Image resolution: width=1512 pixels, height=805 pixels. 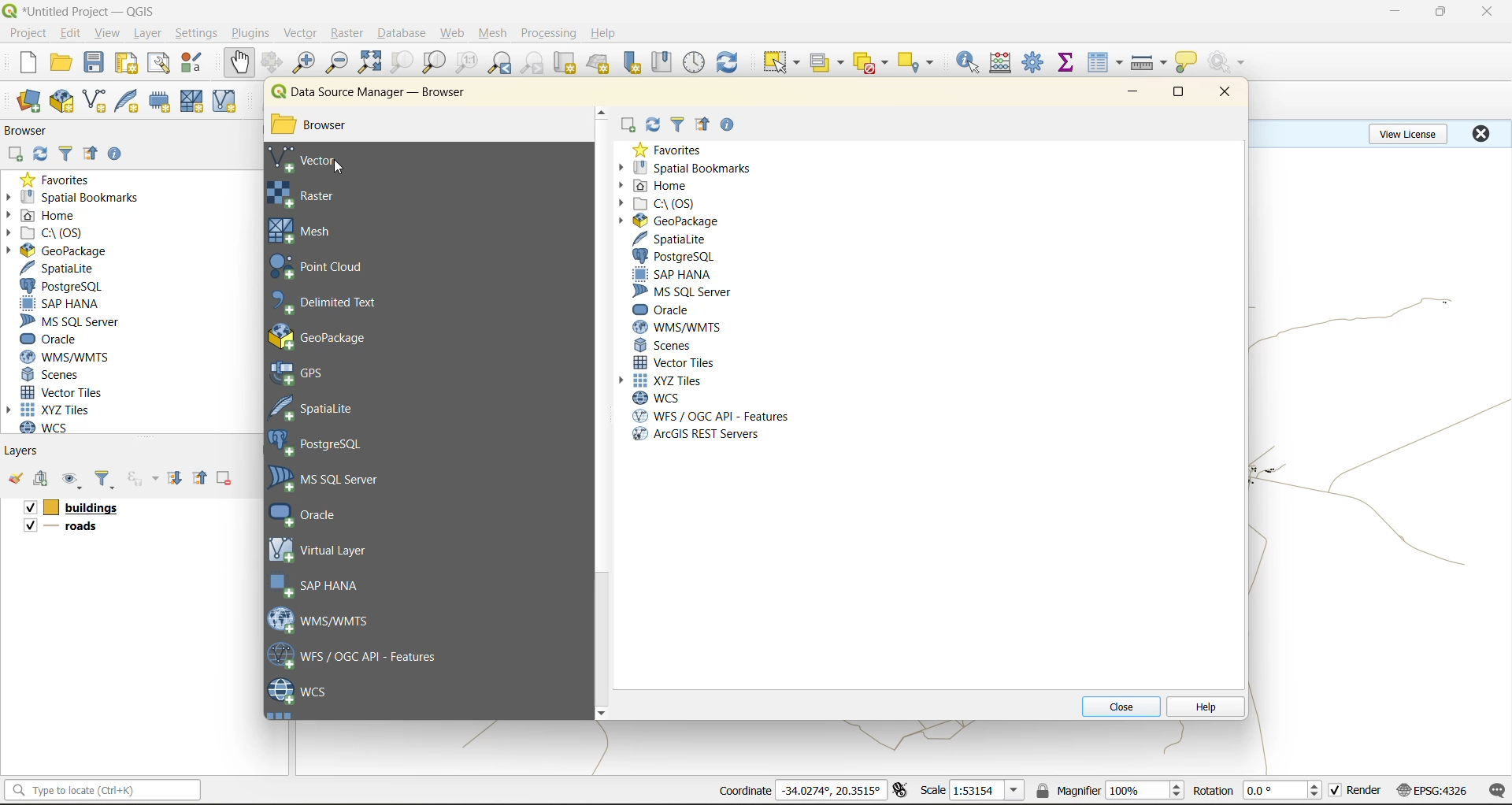 What do you see at coordinates (1498, 791) in the screenshot?
I see `log messages` at bounding box center [1498, 791].